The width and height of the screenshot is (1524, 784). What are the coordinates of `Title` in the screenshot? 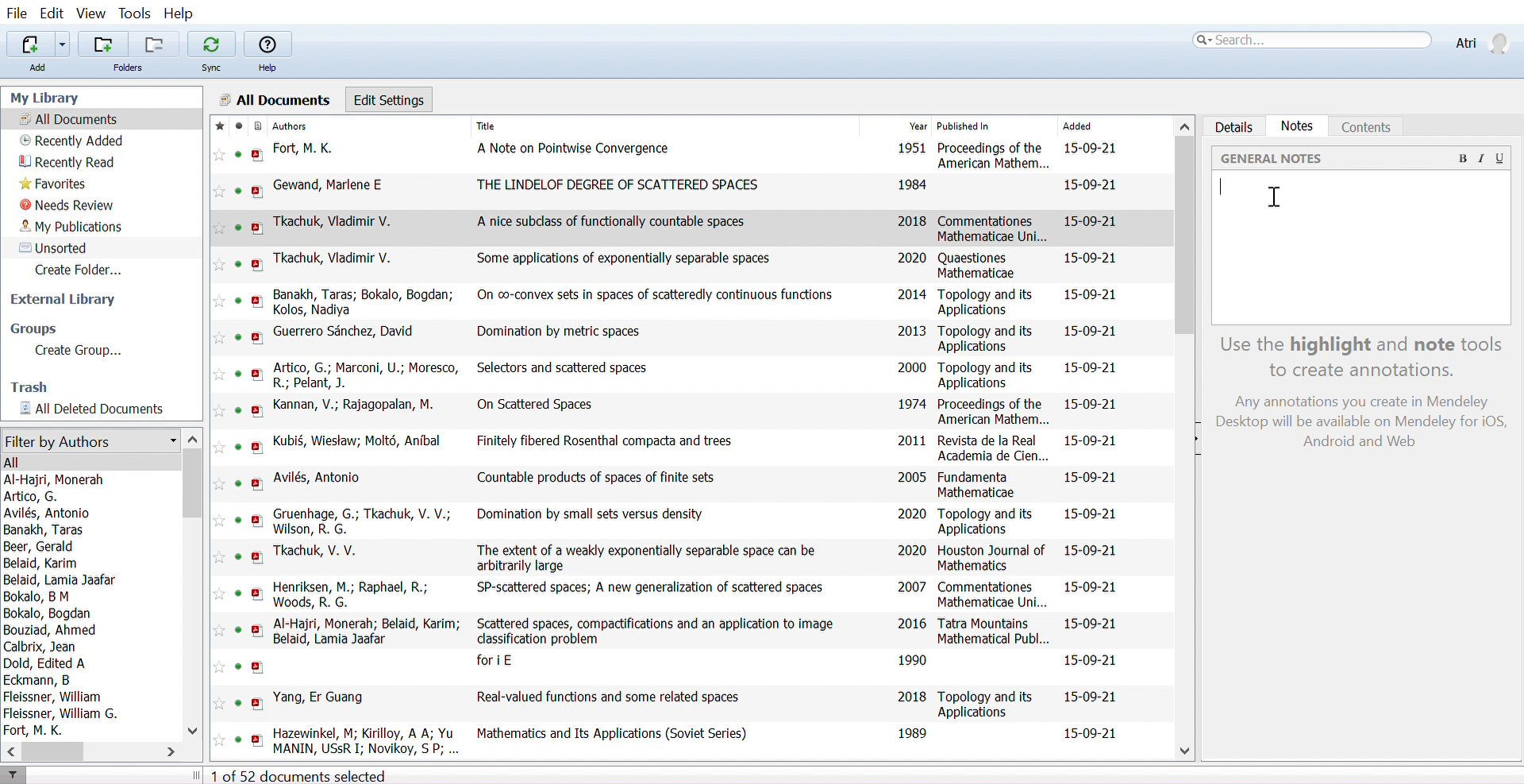 It's located at (486, 125).